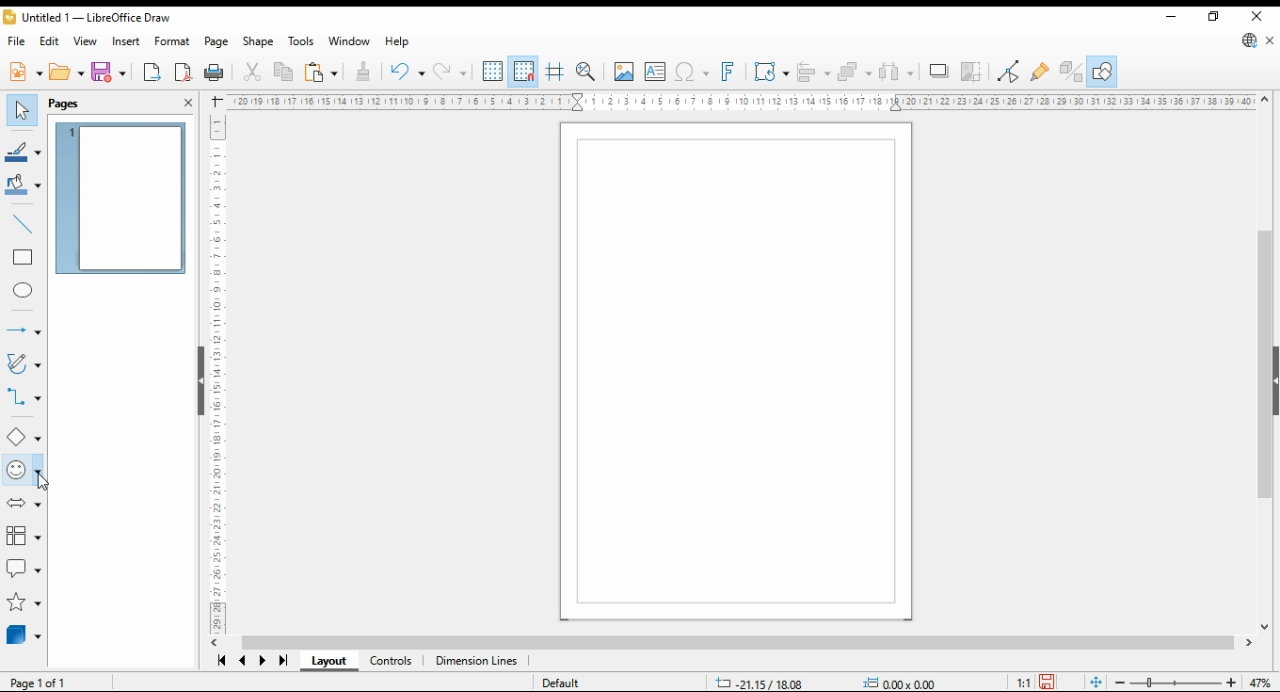  Describe the element at coordinates (49, 42) in the screenshot. I see `edit` at that location.